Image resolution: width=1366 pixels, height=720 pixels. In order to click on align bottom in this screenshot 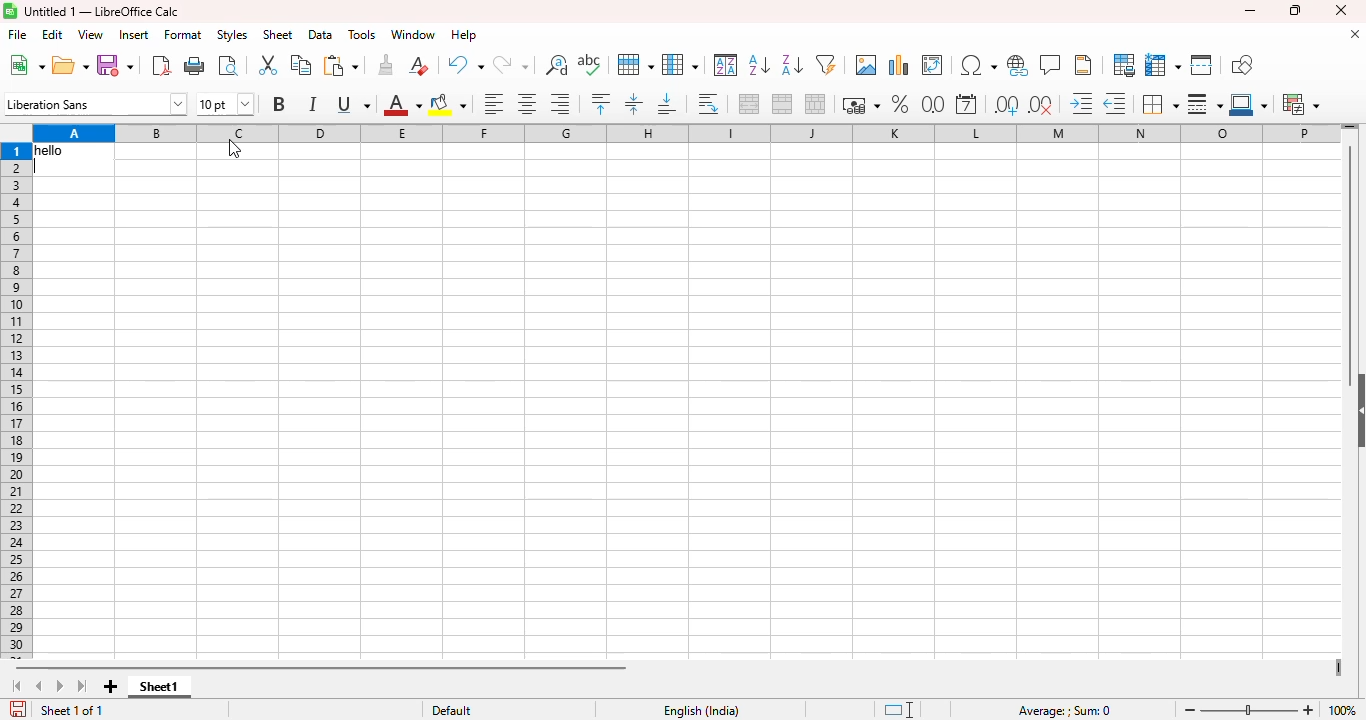, I will do `click(668, 103)`.